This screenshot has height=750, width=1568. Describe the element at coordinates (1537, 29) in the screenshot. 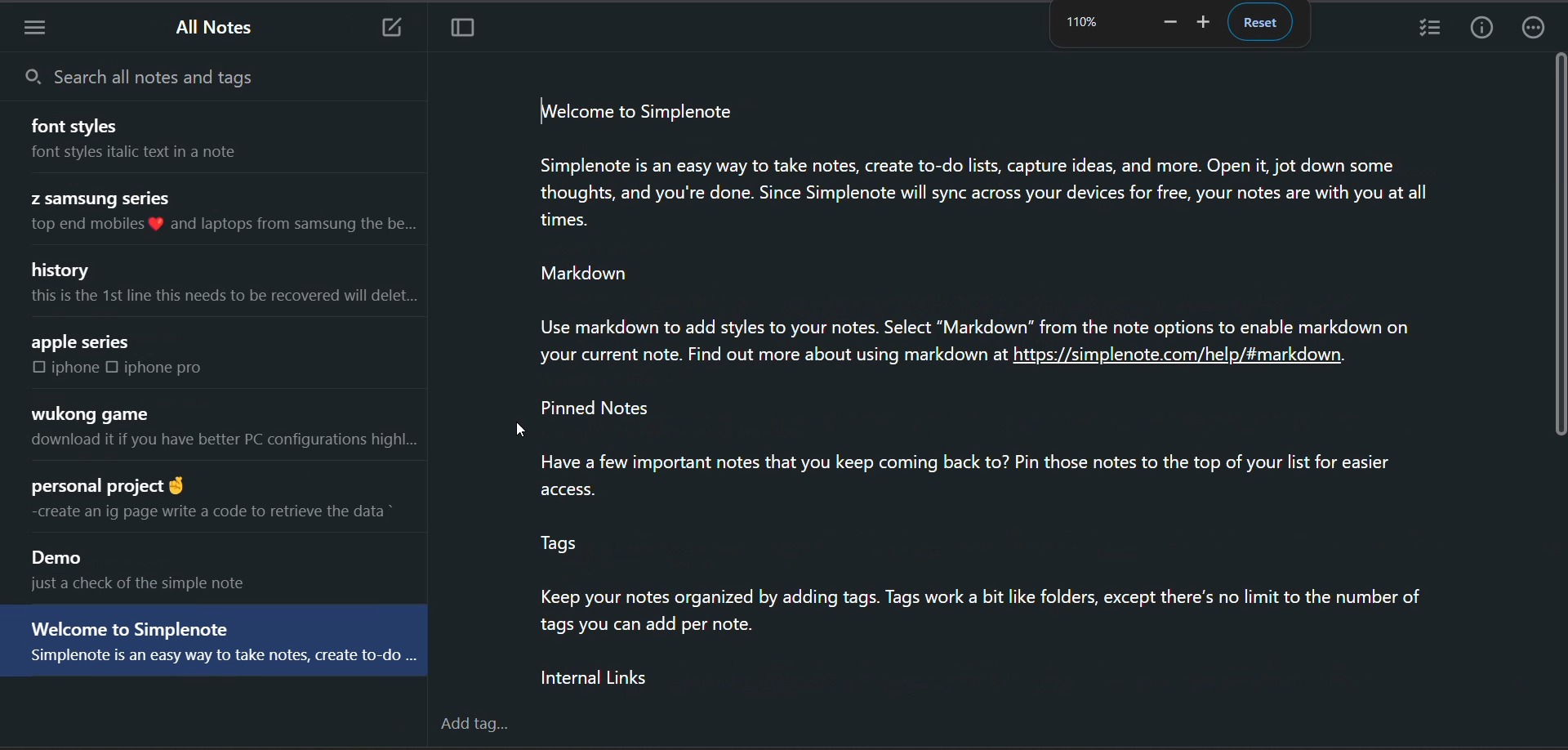

I see `actions` at that location.